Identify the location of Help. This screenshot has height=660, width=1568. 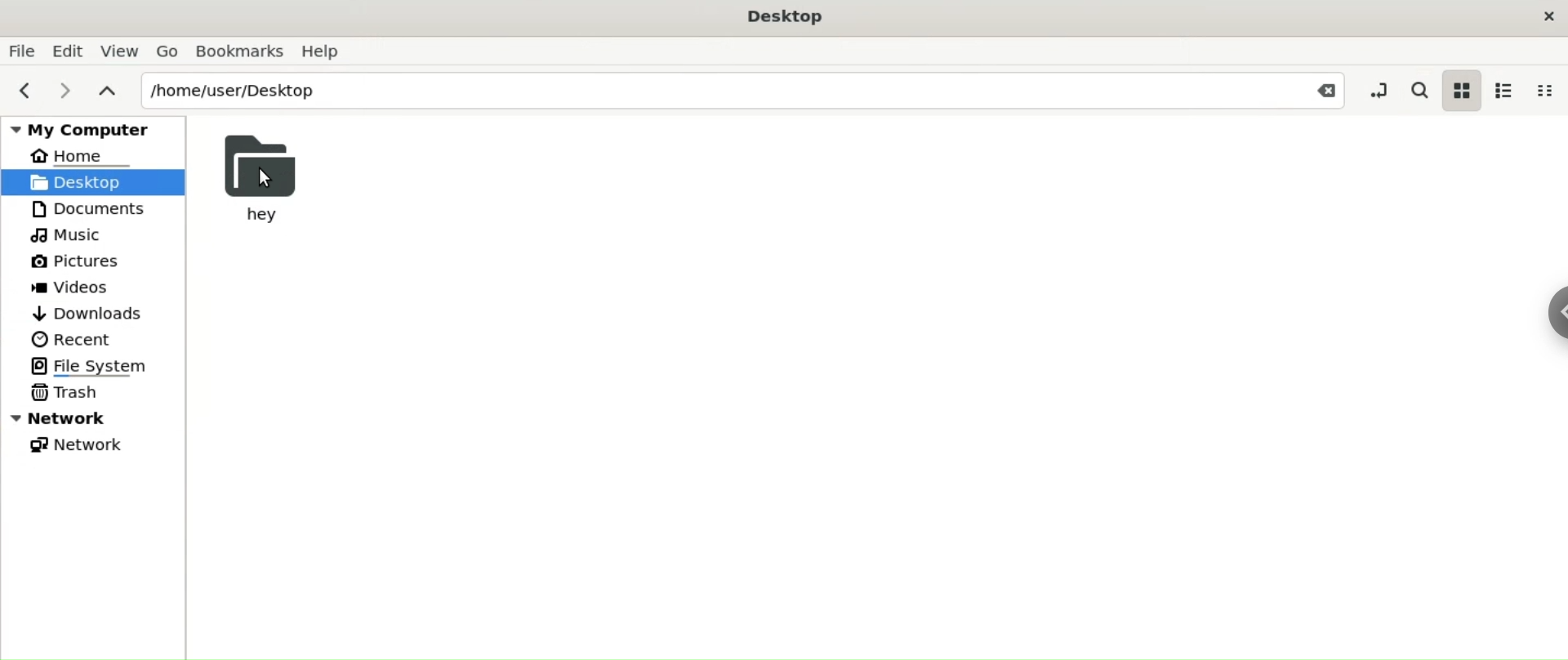
(321, 51).